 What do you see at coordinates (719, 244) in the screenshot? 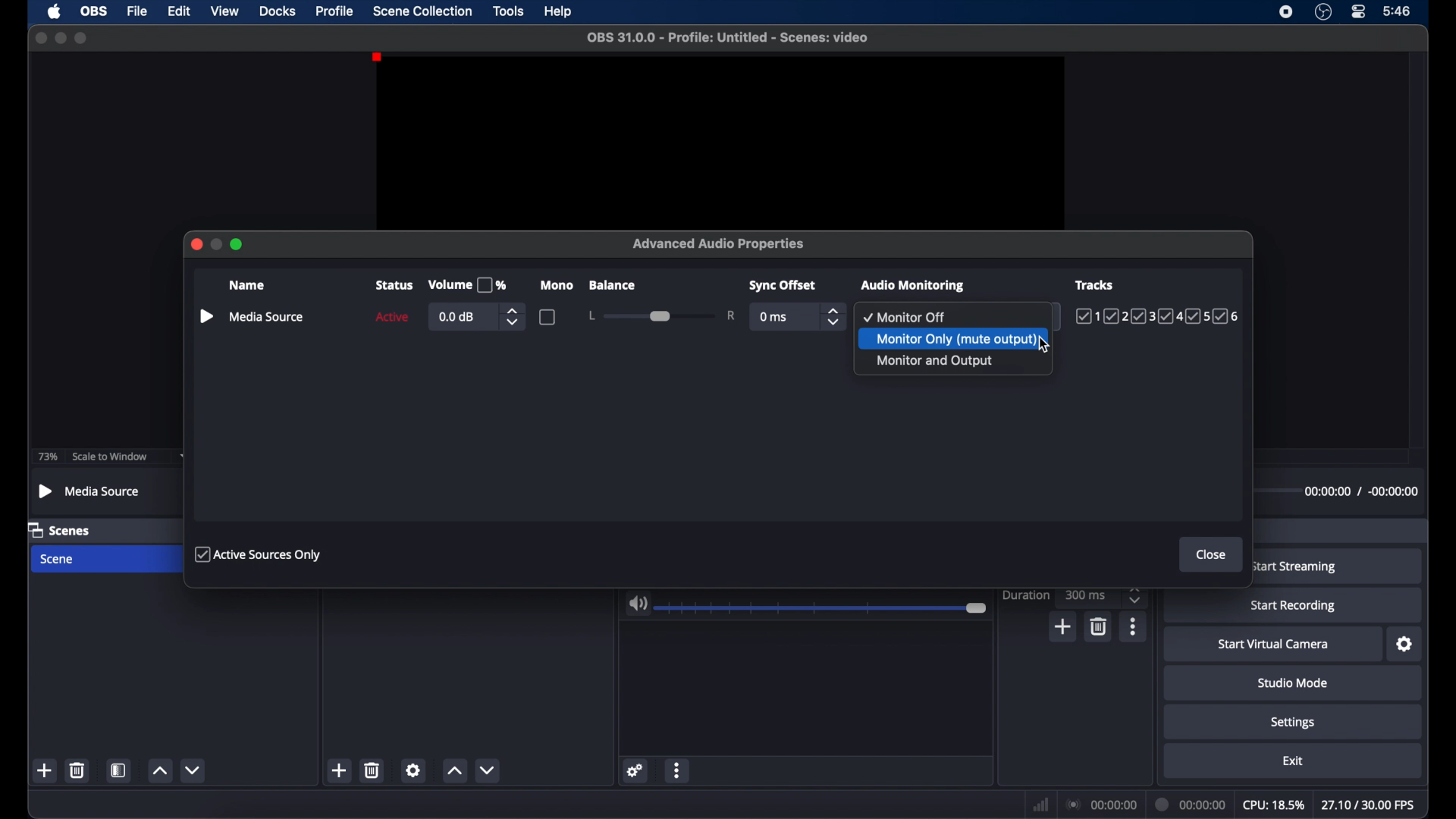
I see `advanced audio properties` at bounding box center [719, 244].